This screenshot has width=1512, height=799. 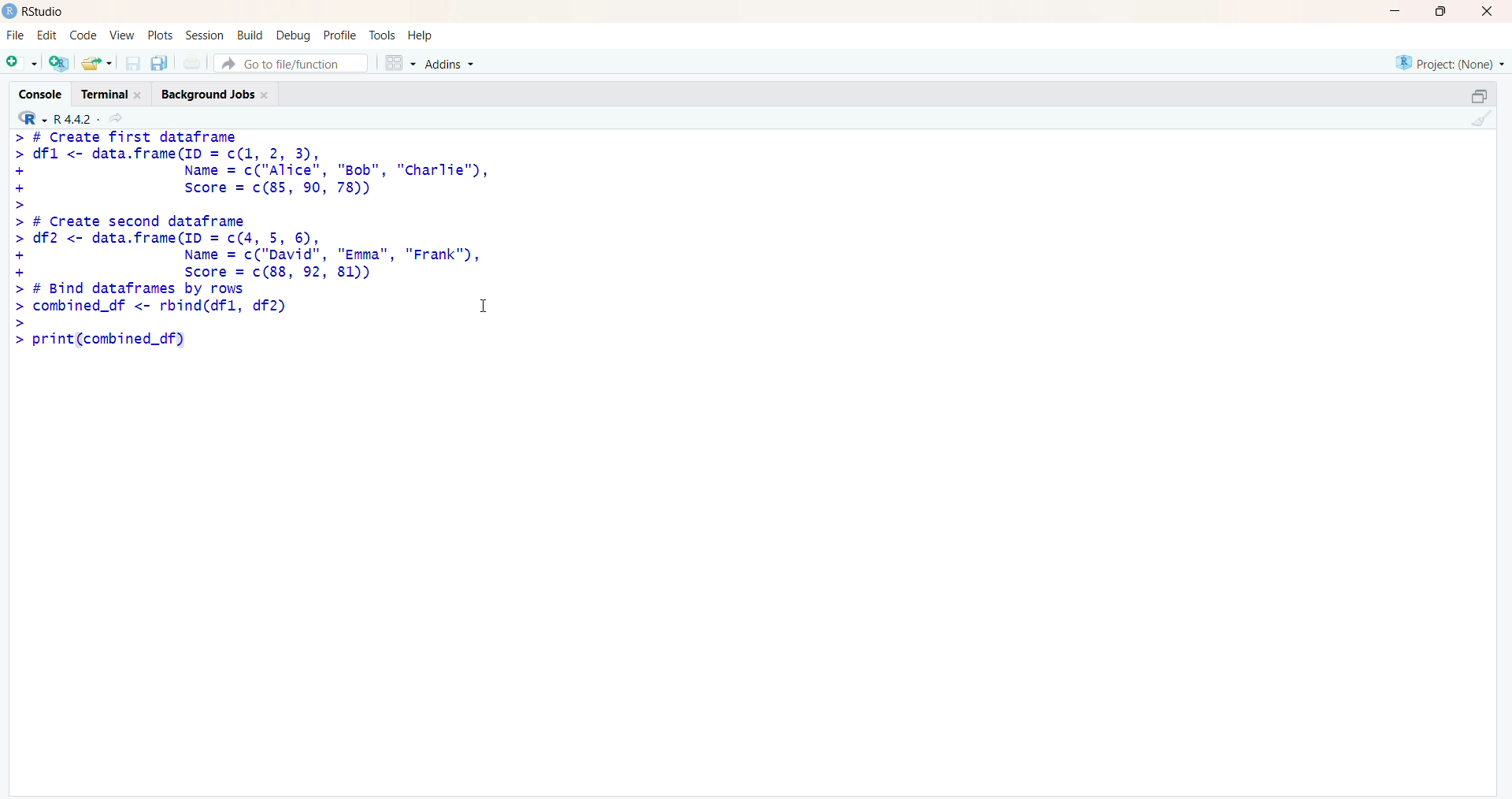 I want to click on cursor, so click(x=486, y=304).